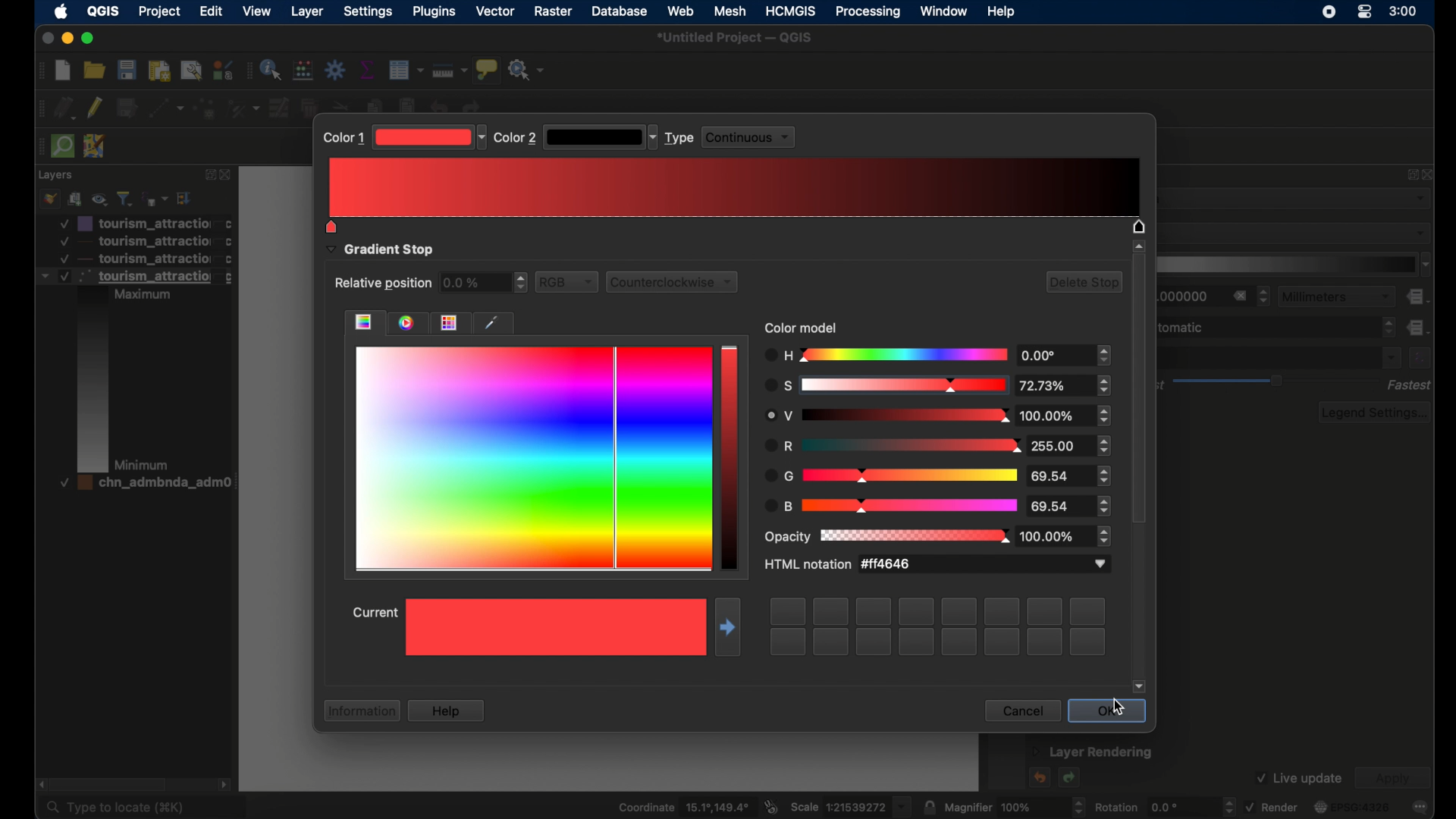 The image size is (1456, 819). Describe the element at coordinates (429, 140) in the screenshot. I see `magenta` at that location.